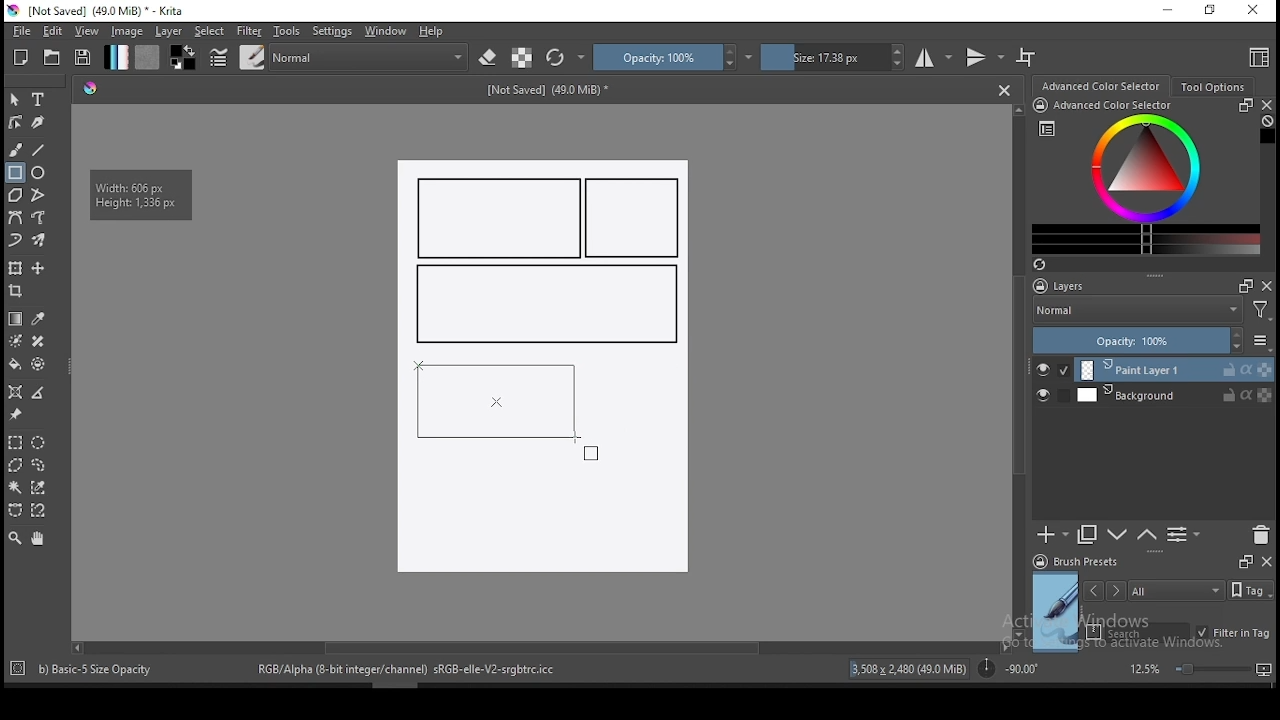 The image size is (1280, 720). I want to click on tool options, so click(1214, 87).